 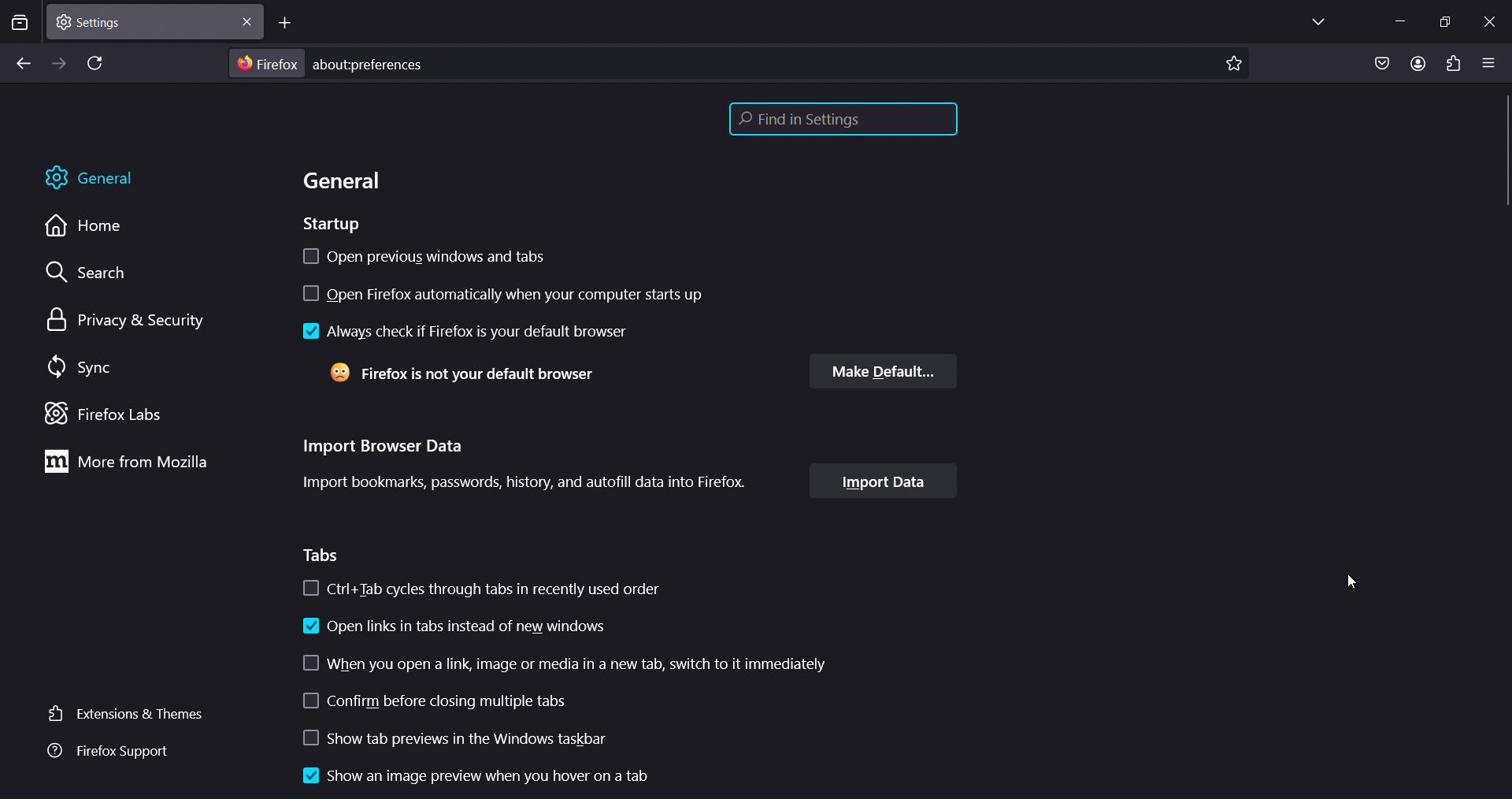 I want to click on open firefox automatically when computer starts up, so click(x=504, y=295).